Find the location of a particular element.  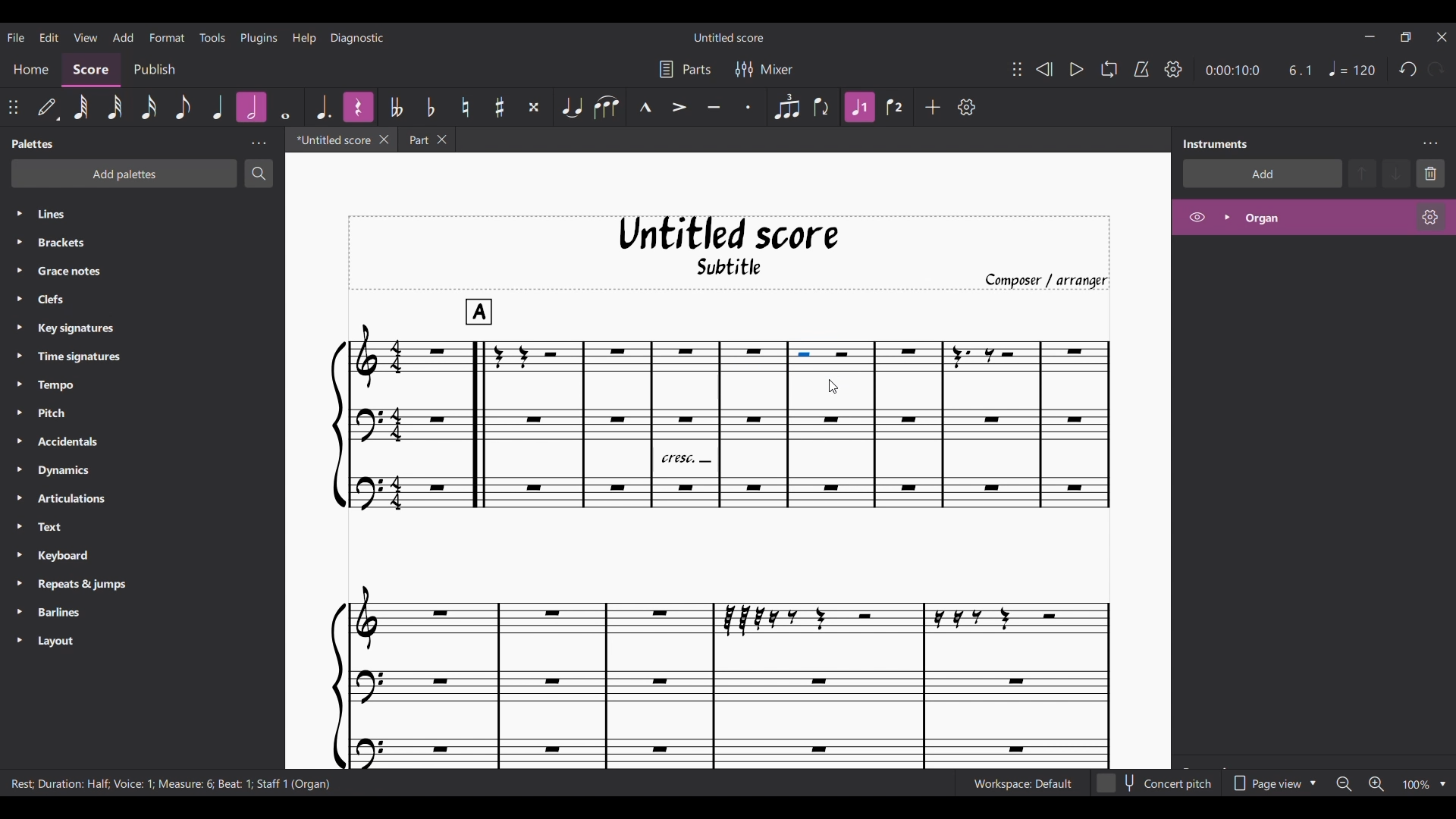

Score title, sub-title, and composer name is located at coordinates (730, 253).